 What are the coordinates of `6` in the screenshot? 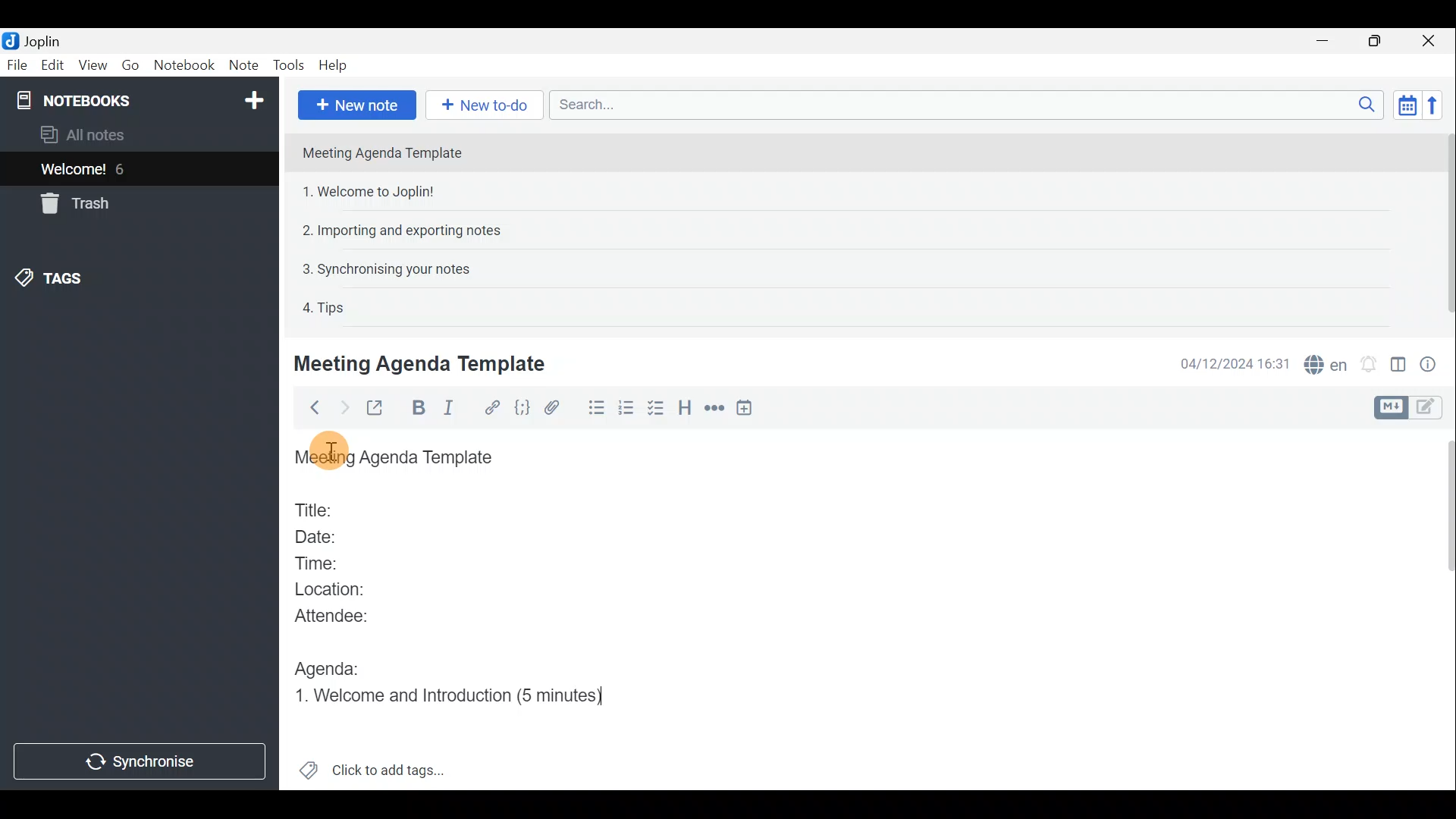 It's located at (124, 169).